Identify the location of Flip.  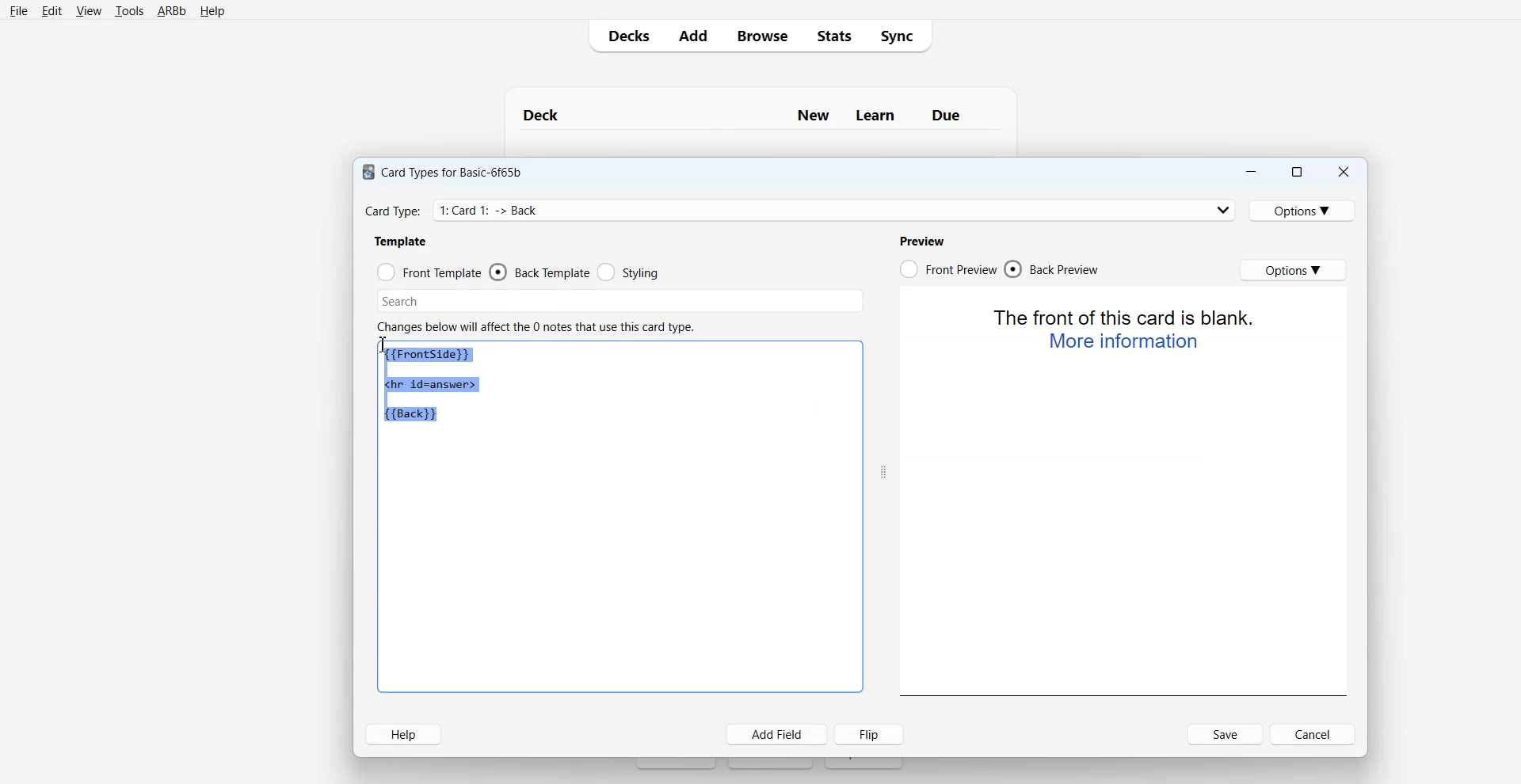
(871, 734).